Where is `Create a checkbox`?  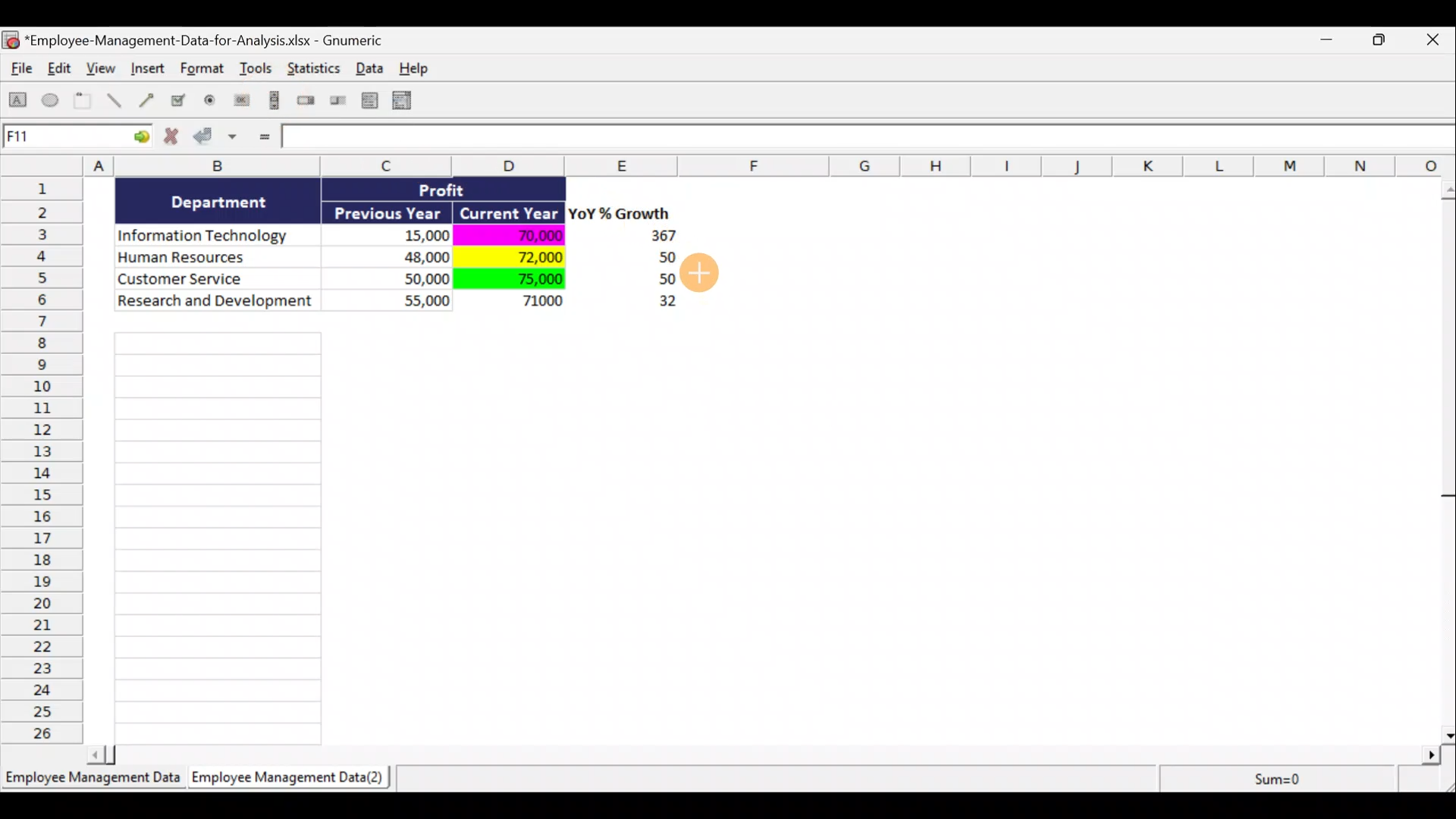
Create a checkbox is located at coordinates (179, 100).